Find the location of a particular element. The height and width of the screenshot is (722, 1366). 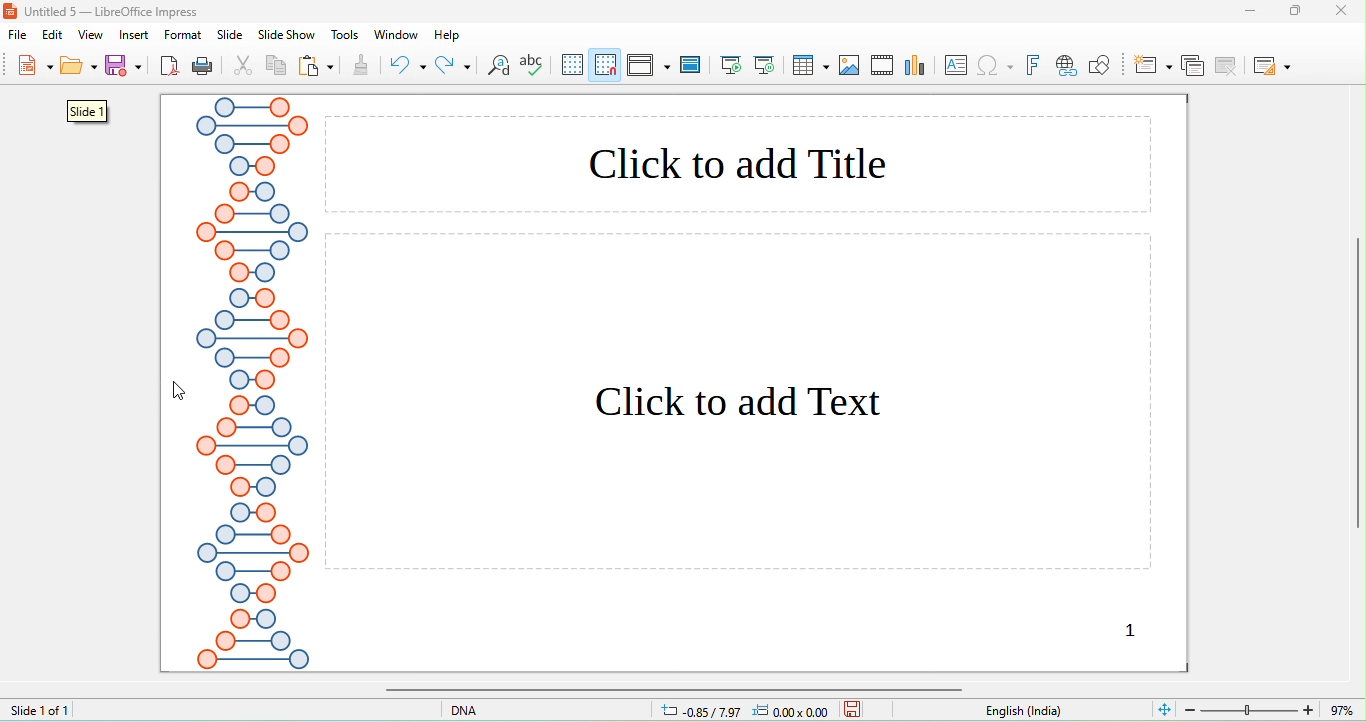

paste is located at coordinates (317, 67).